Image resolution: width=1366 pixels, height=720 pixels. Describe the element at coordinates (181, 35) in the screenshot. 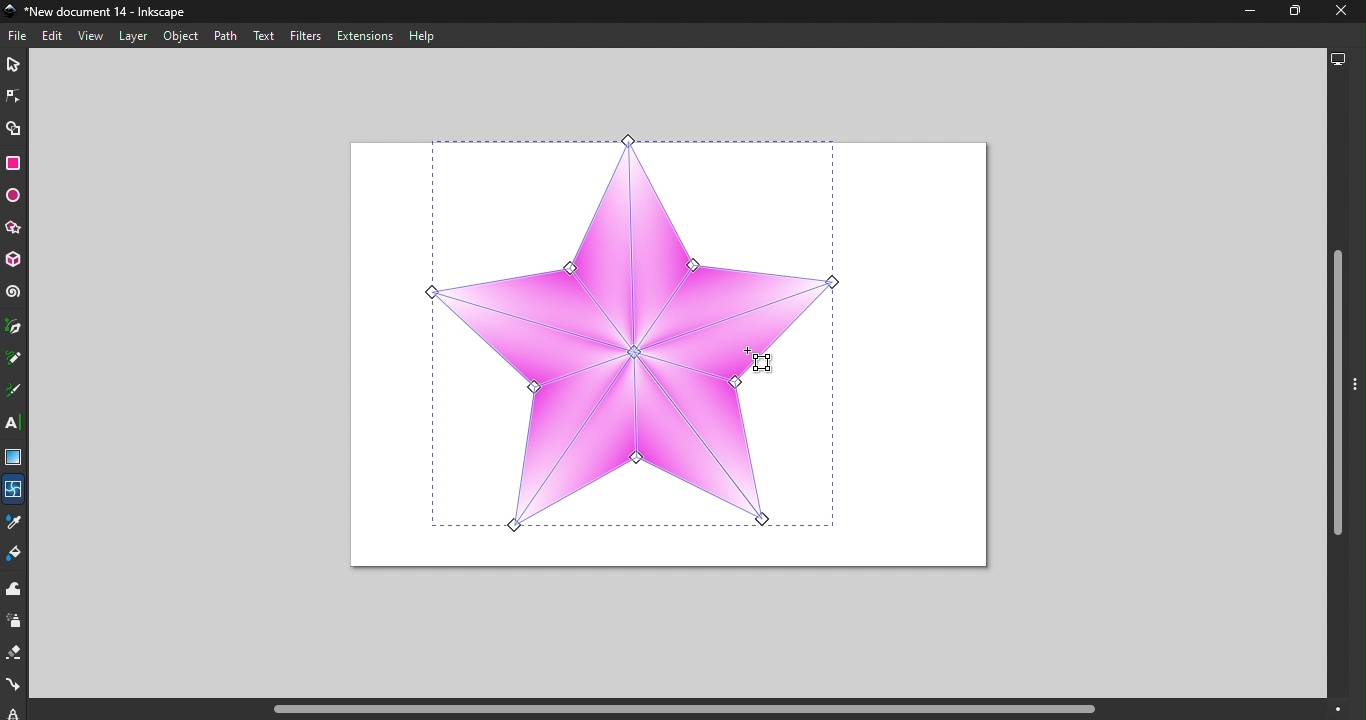

I see `Object` at that location.